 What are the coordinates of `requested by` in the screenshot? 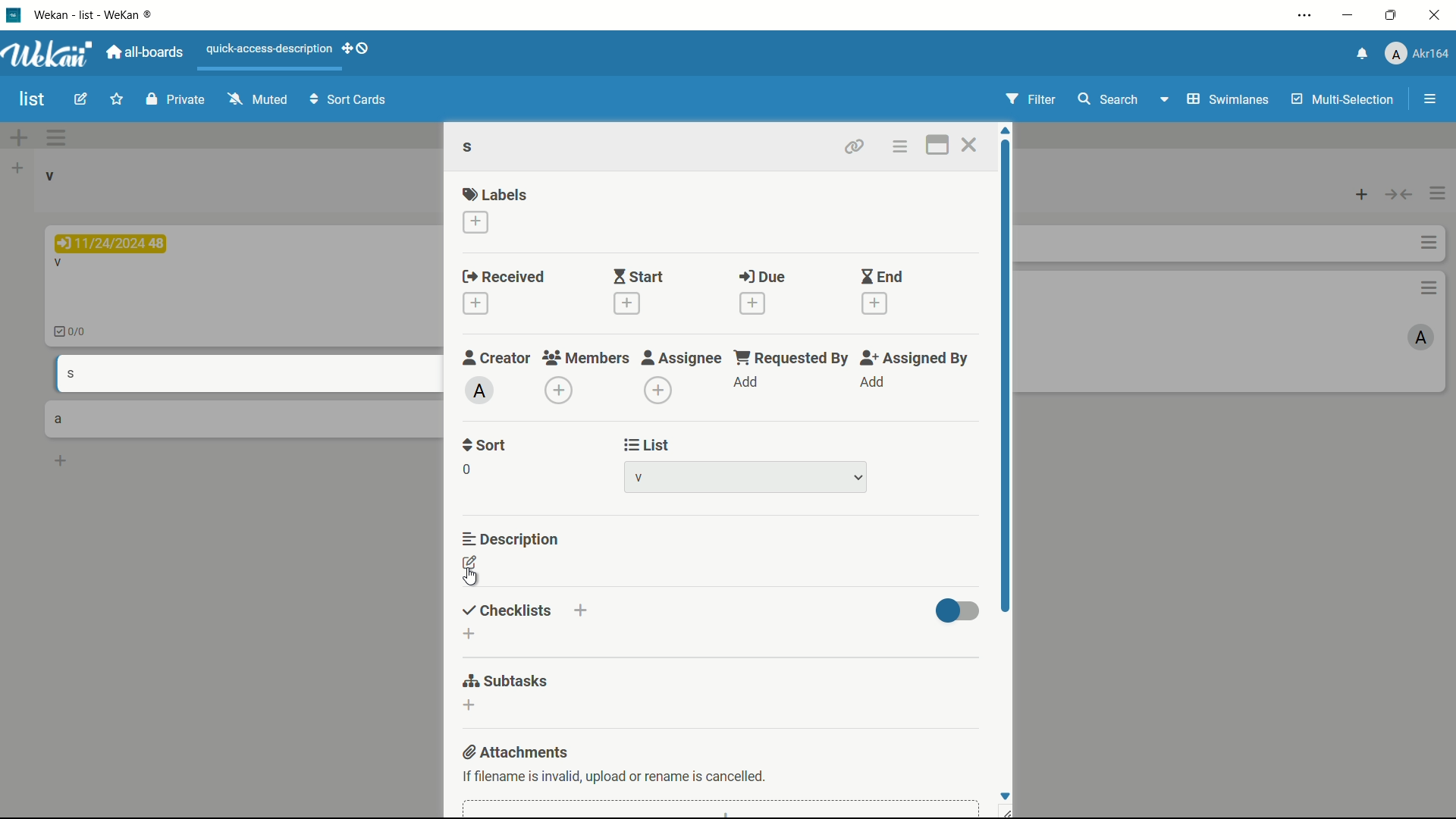 It's located at (793, 359).